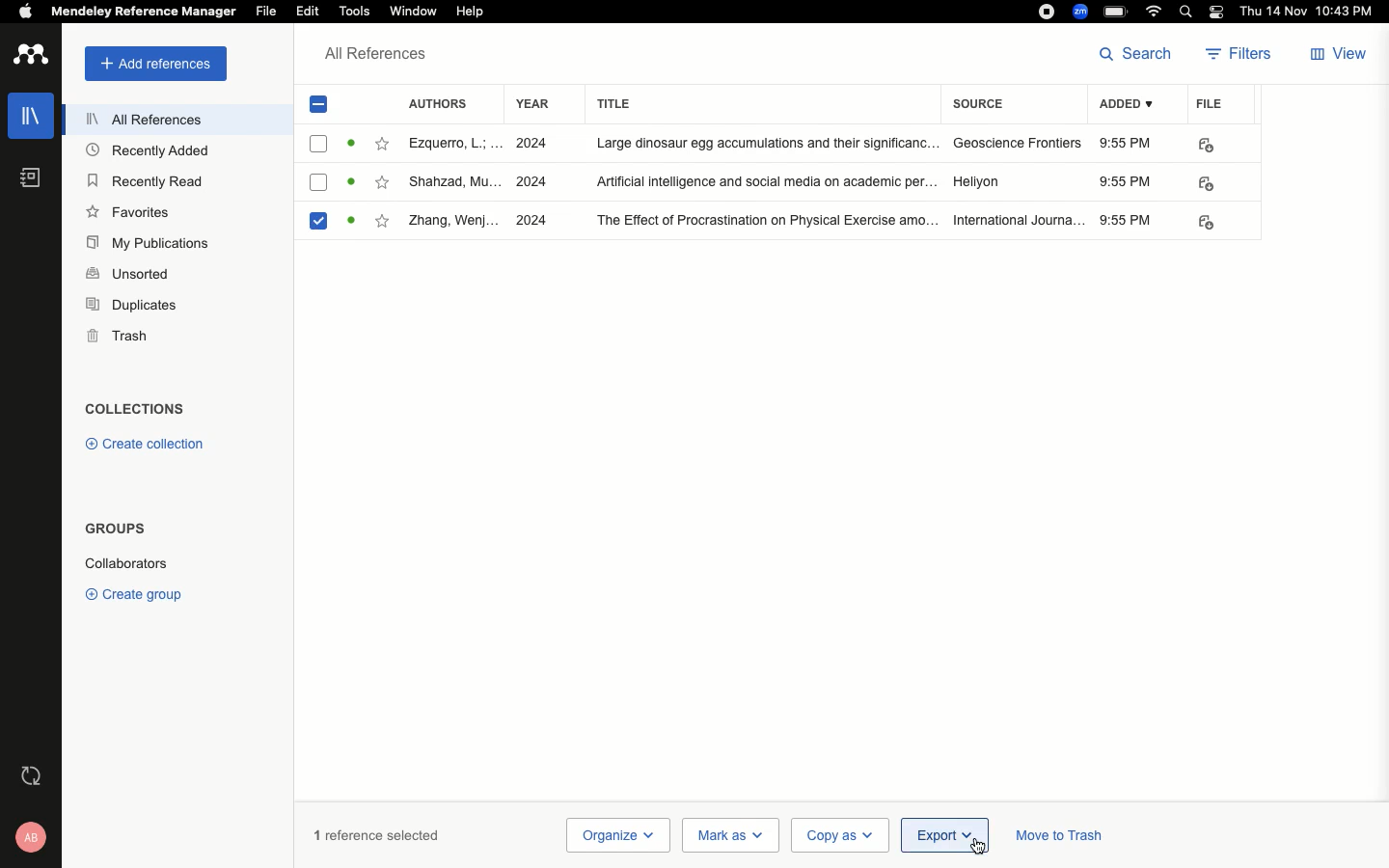 The width and height of the screenshot is (1389, 868). I want to click on read, so click(356, 222).